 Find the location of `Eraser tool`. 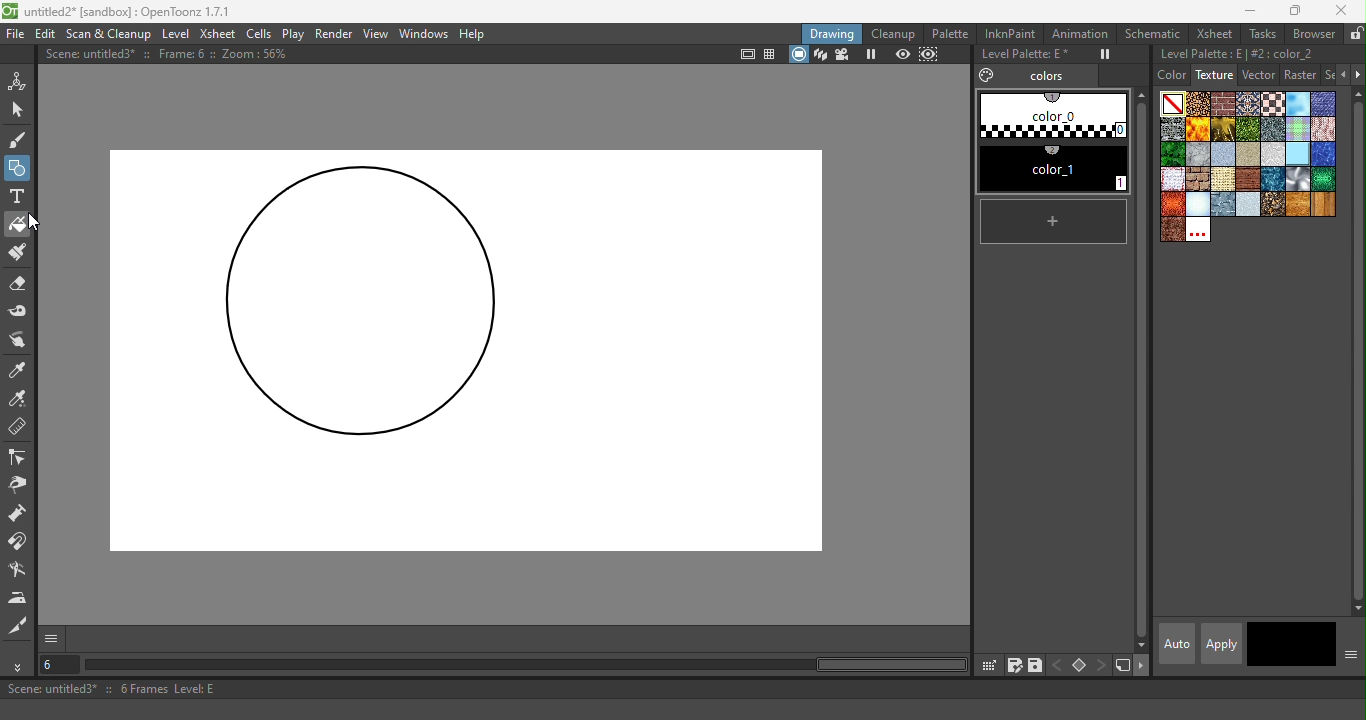

Eraser tool is located at coordinates (21, 285).